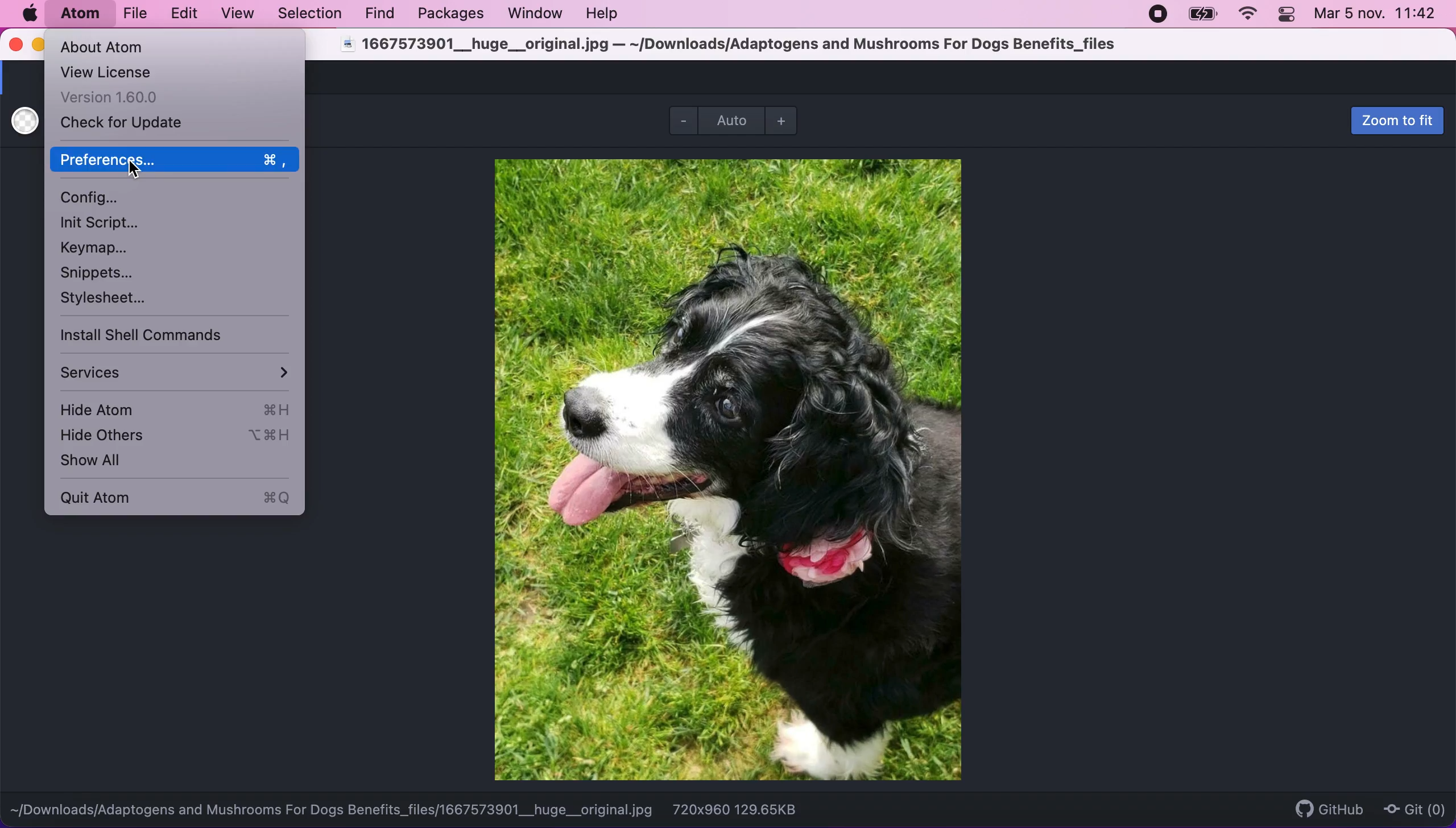 The image size is (1456, 828). I want to click on find, so click(377, 13).